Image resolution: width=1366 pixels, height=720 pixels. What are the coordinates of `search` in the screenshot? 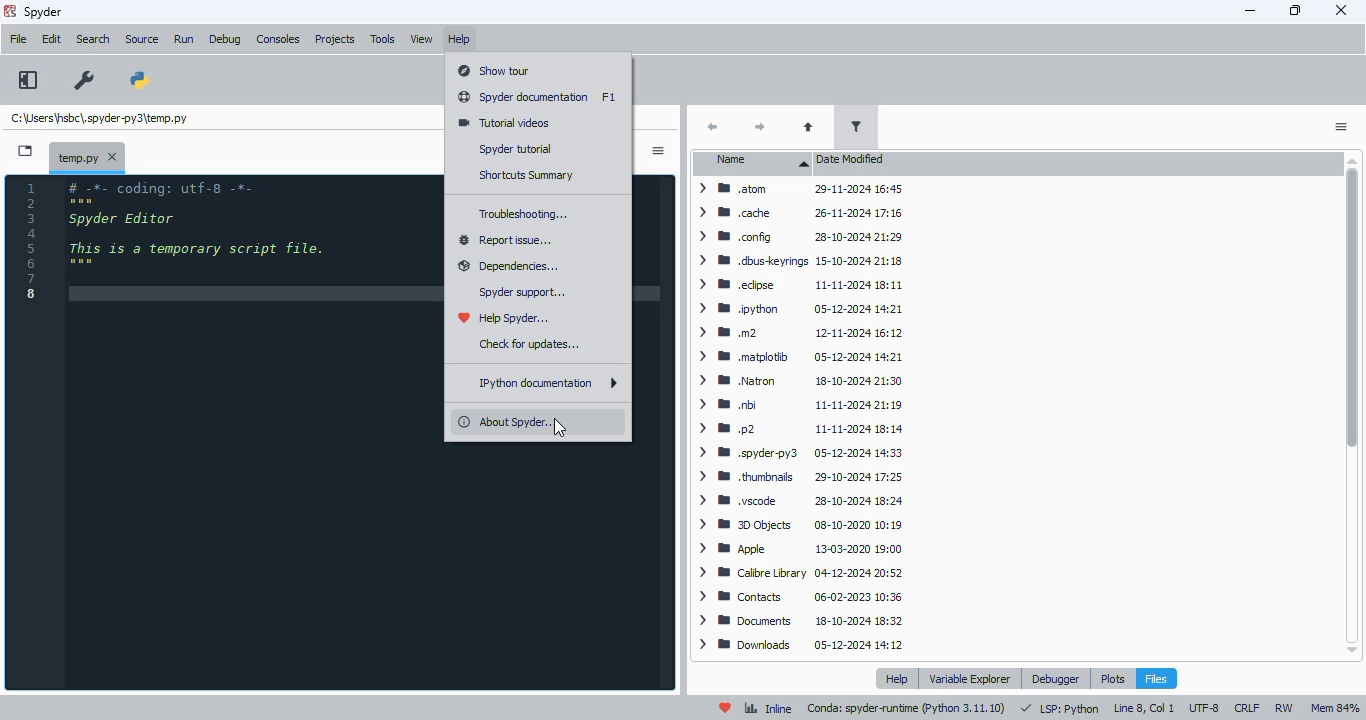 It's located at (93, 39).